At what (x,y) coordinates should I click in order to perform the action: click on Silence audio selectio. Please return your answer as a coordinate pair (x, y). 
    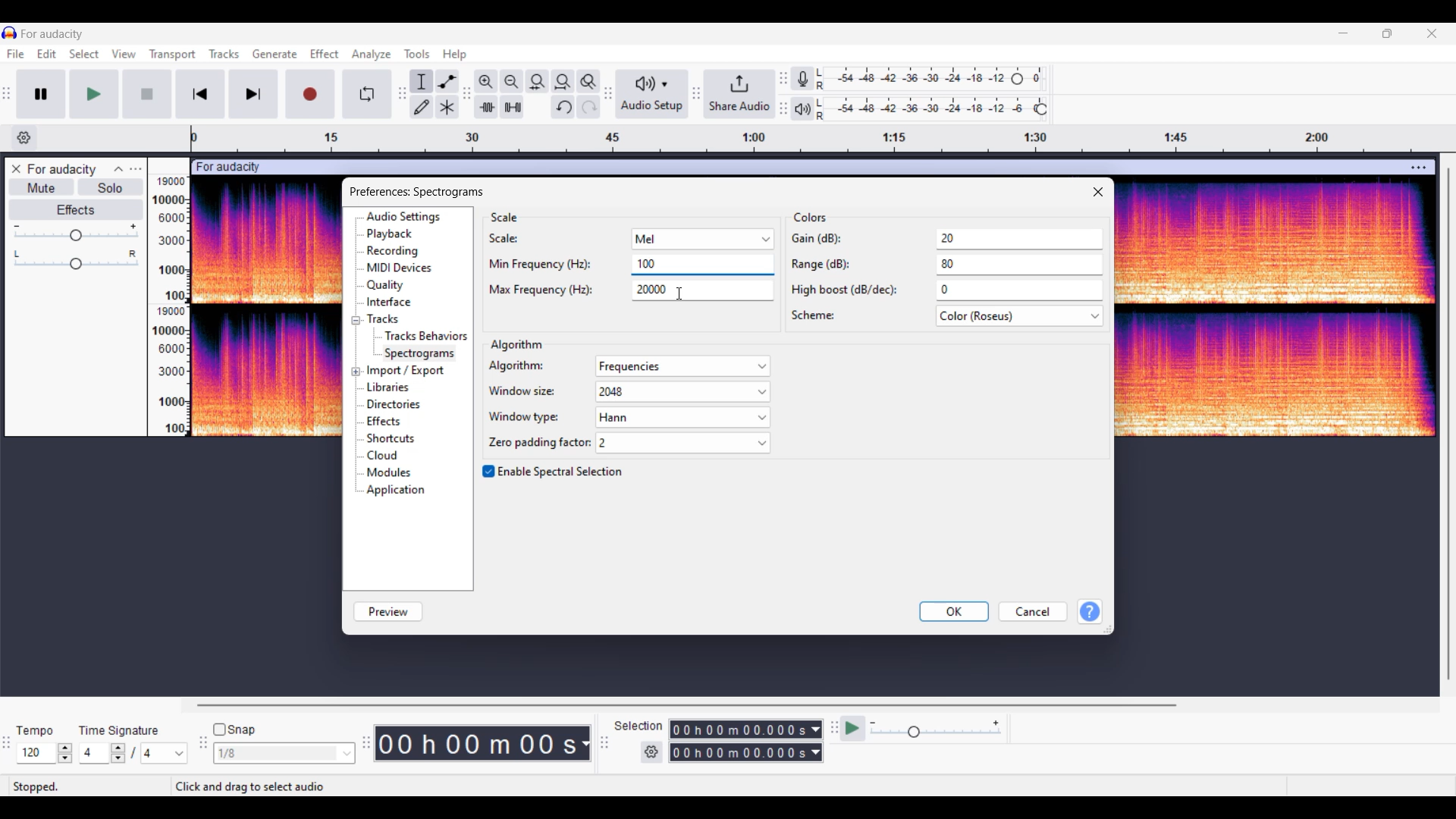
    Looking at the image, I should click on (513, 106).